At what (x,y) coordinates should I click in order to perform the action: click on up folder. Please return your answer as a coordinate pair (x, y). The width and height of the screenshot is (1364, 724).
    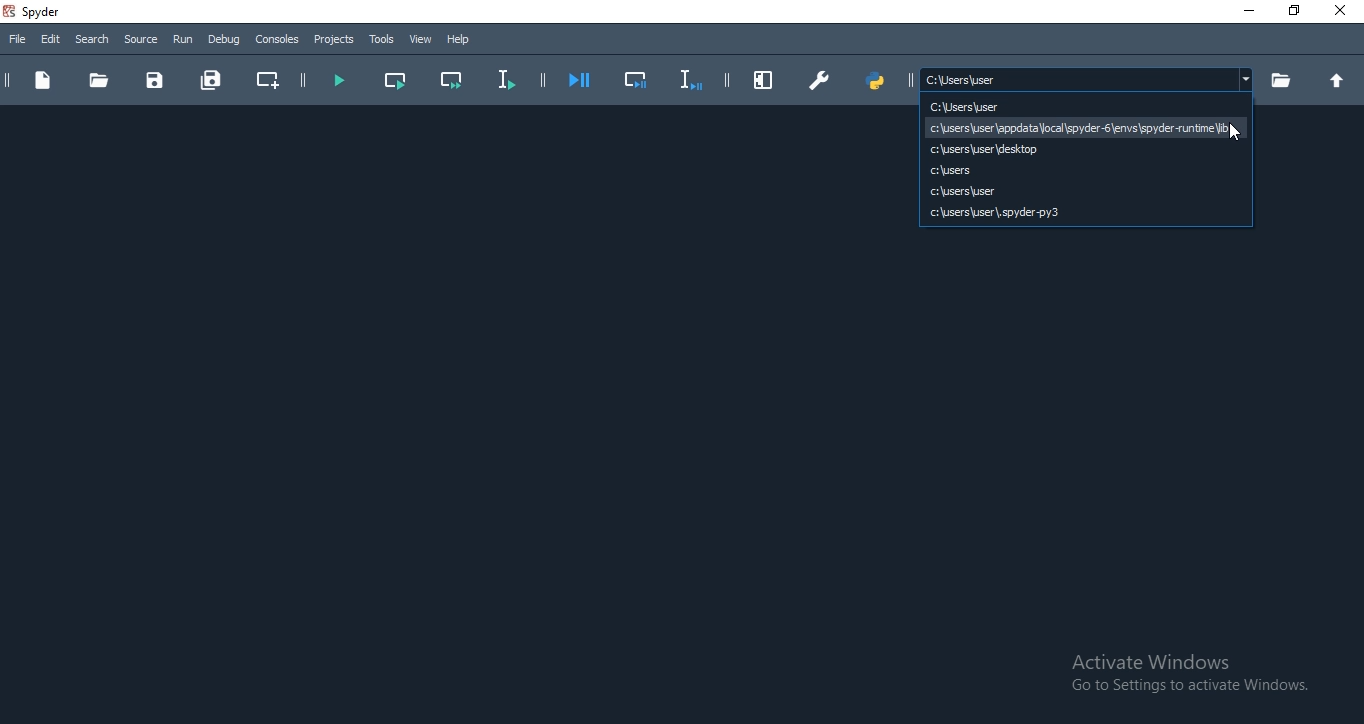
    Looking at the image, I should click on (1341, 81).